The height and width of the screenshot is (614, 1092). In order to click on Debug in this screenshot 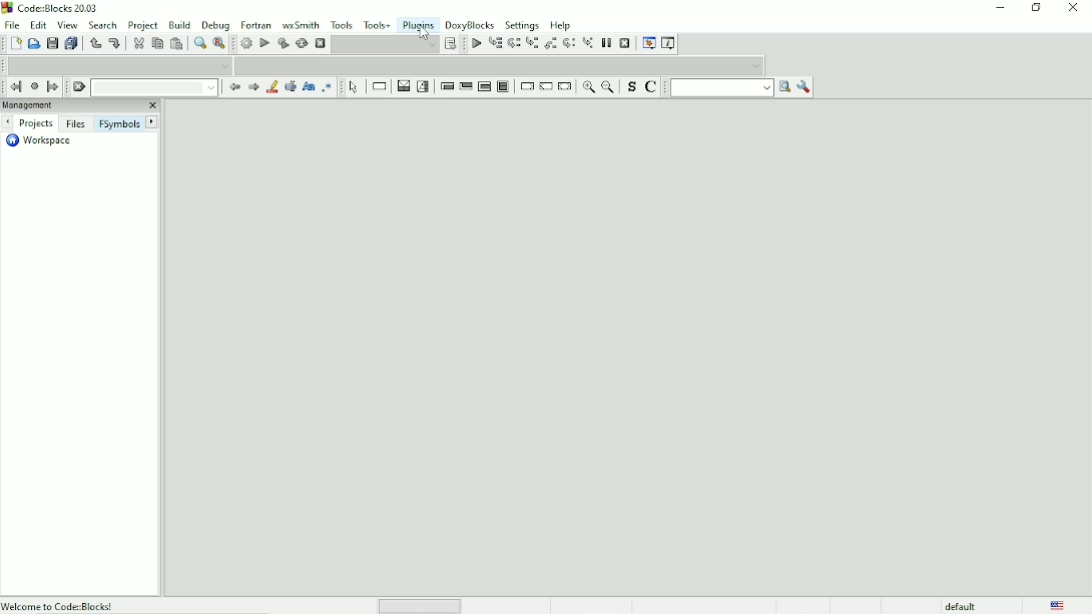, I will do `click(216, 23)`.